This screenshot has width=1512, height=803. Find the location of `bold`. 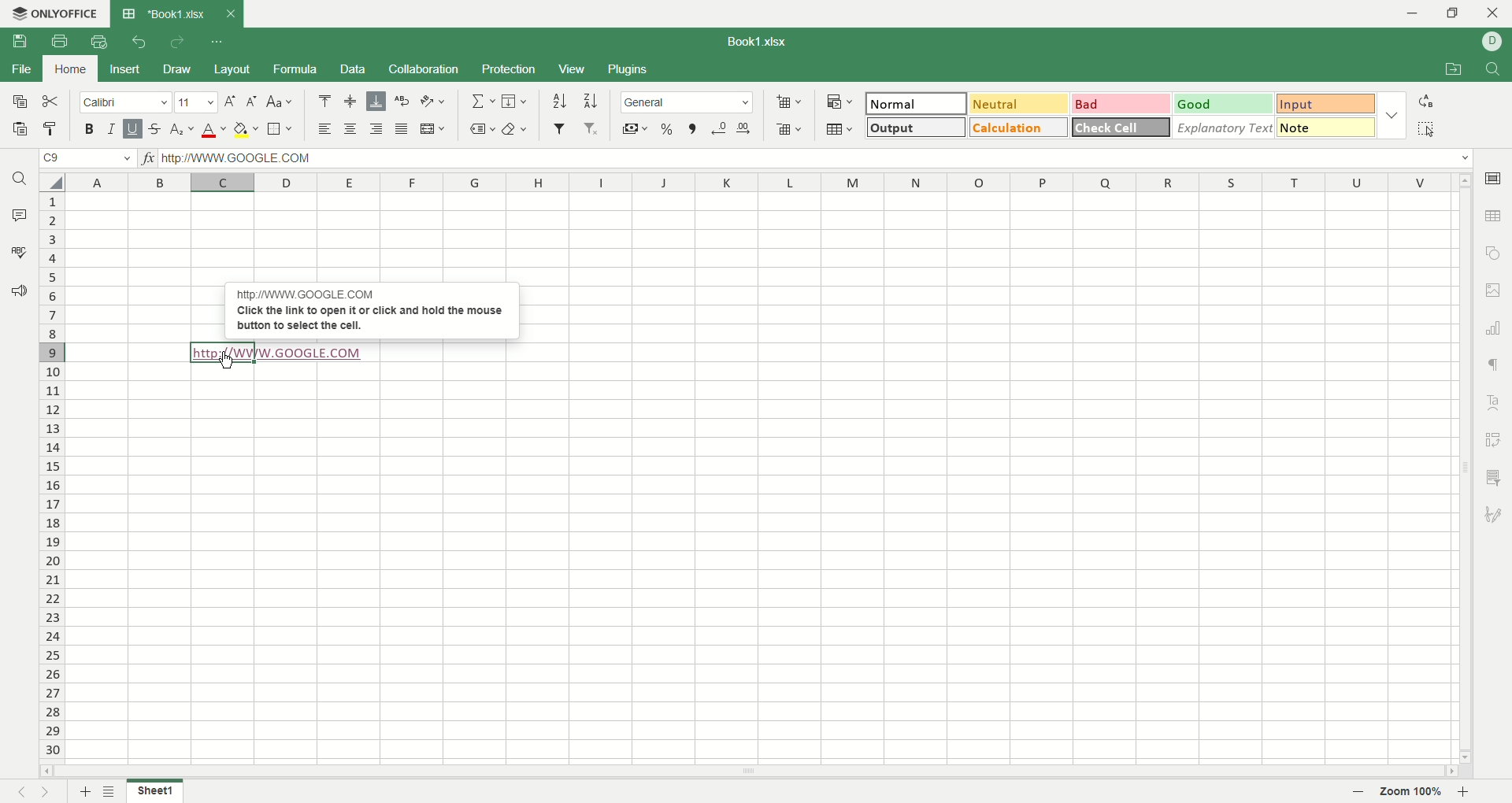

bold is located at coordinates (93, 129).